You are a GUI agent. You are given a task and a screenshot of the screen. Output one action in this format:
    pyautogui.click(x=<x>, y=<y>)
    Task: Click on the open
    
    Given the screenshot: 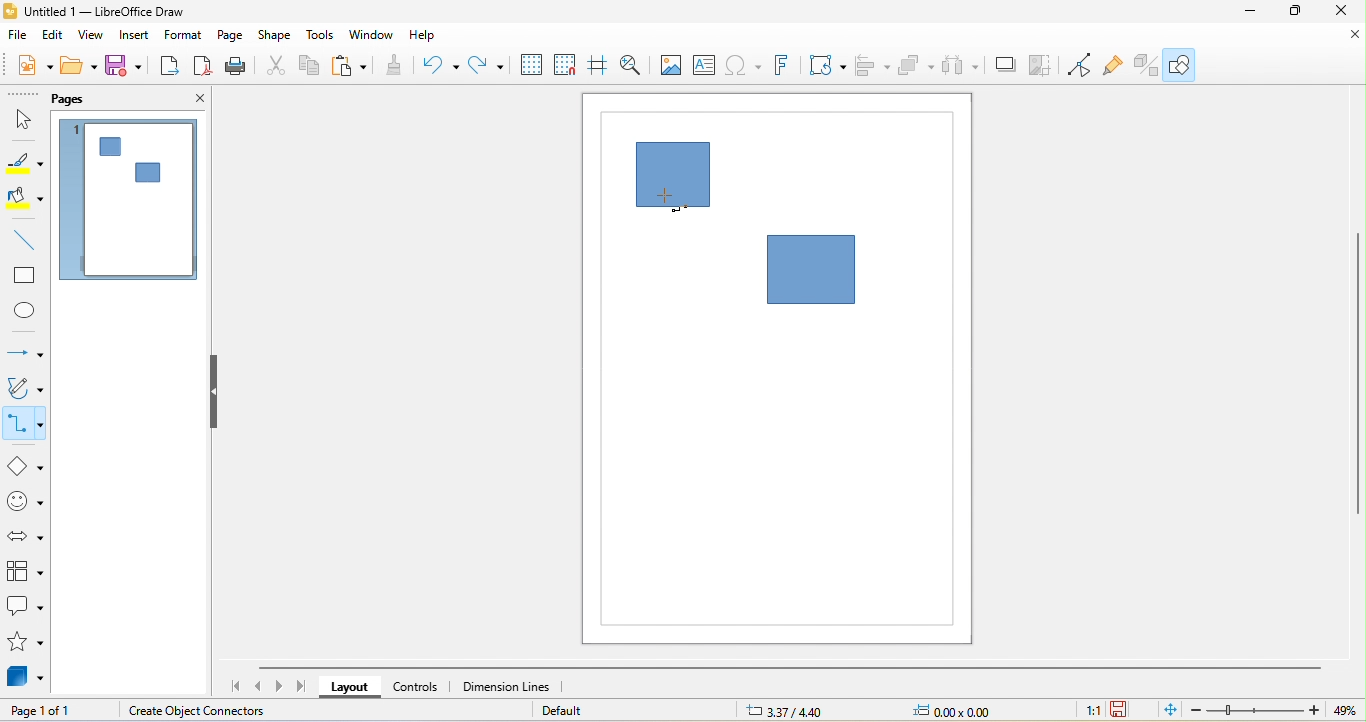 What is the action you would take?
    pyautogui.click(x=79, y=67)
    